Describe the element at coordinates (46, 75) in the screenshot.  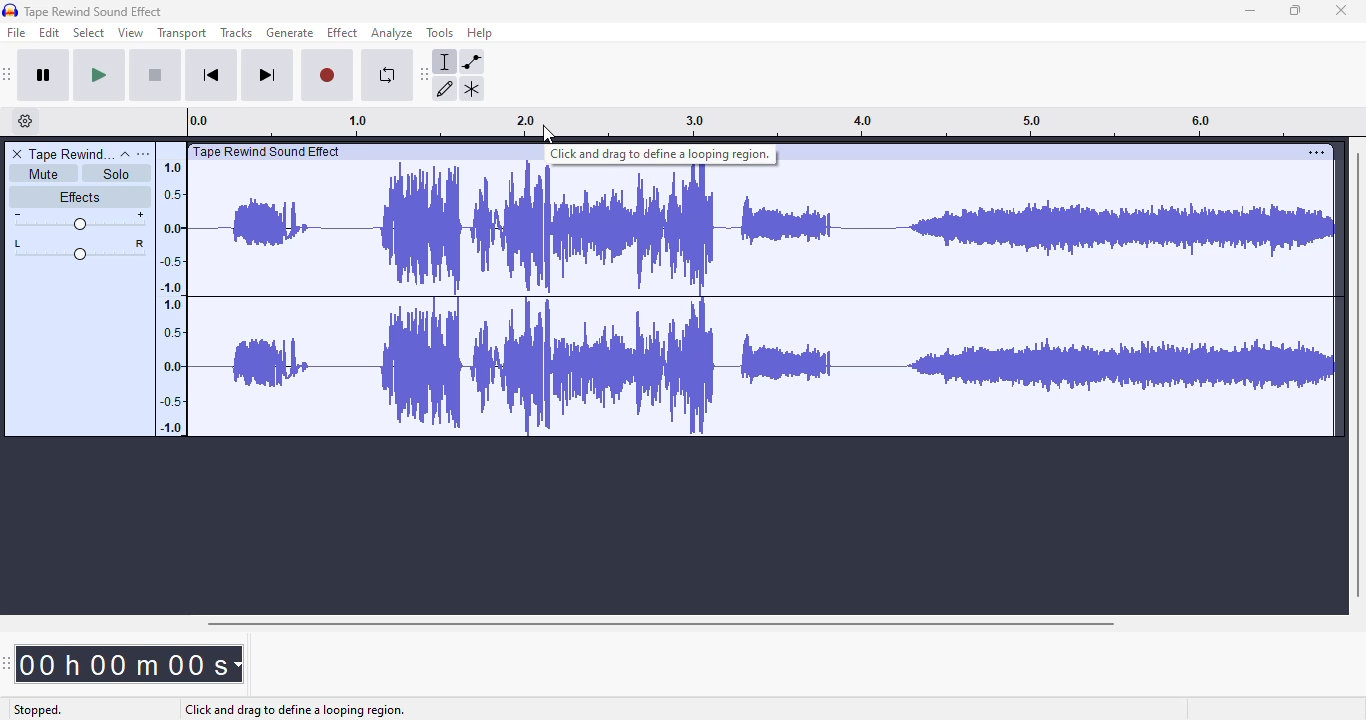
I see `pause` at that location.